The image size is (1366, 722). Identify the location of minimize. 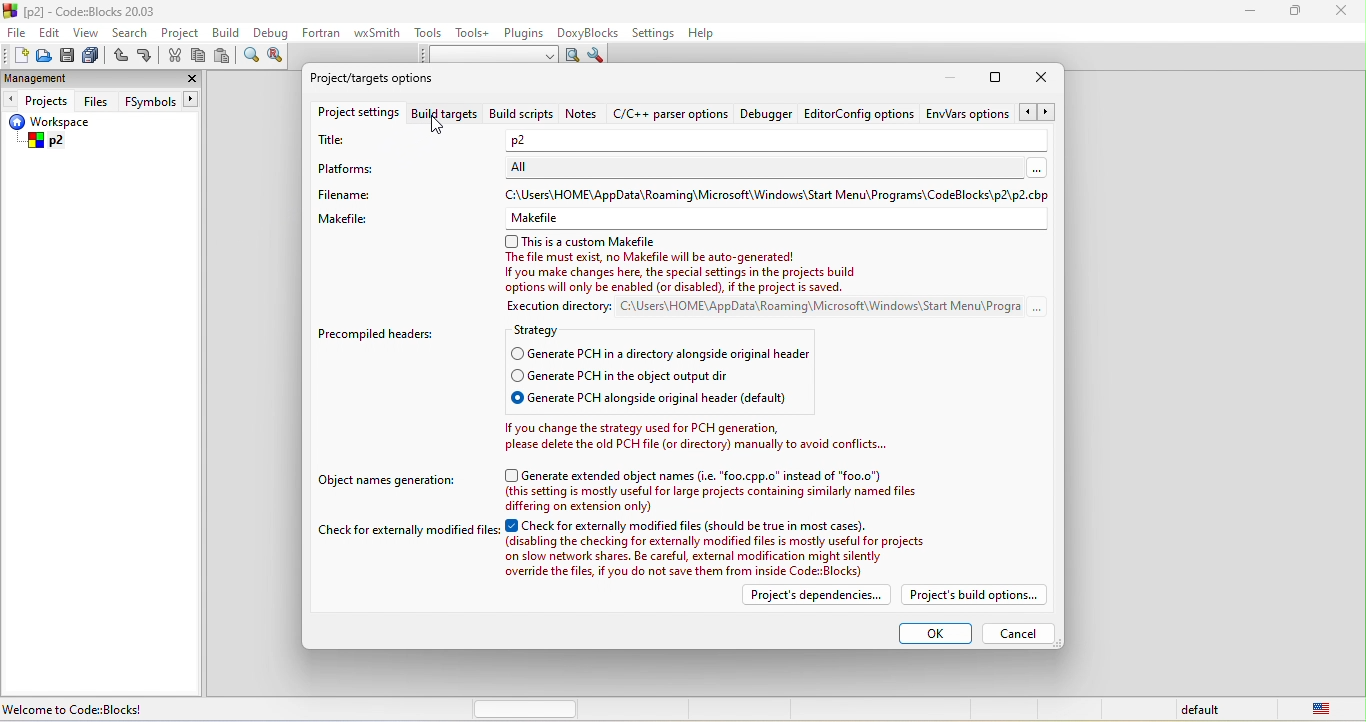
(1255, 15).